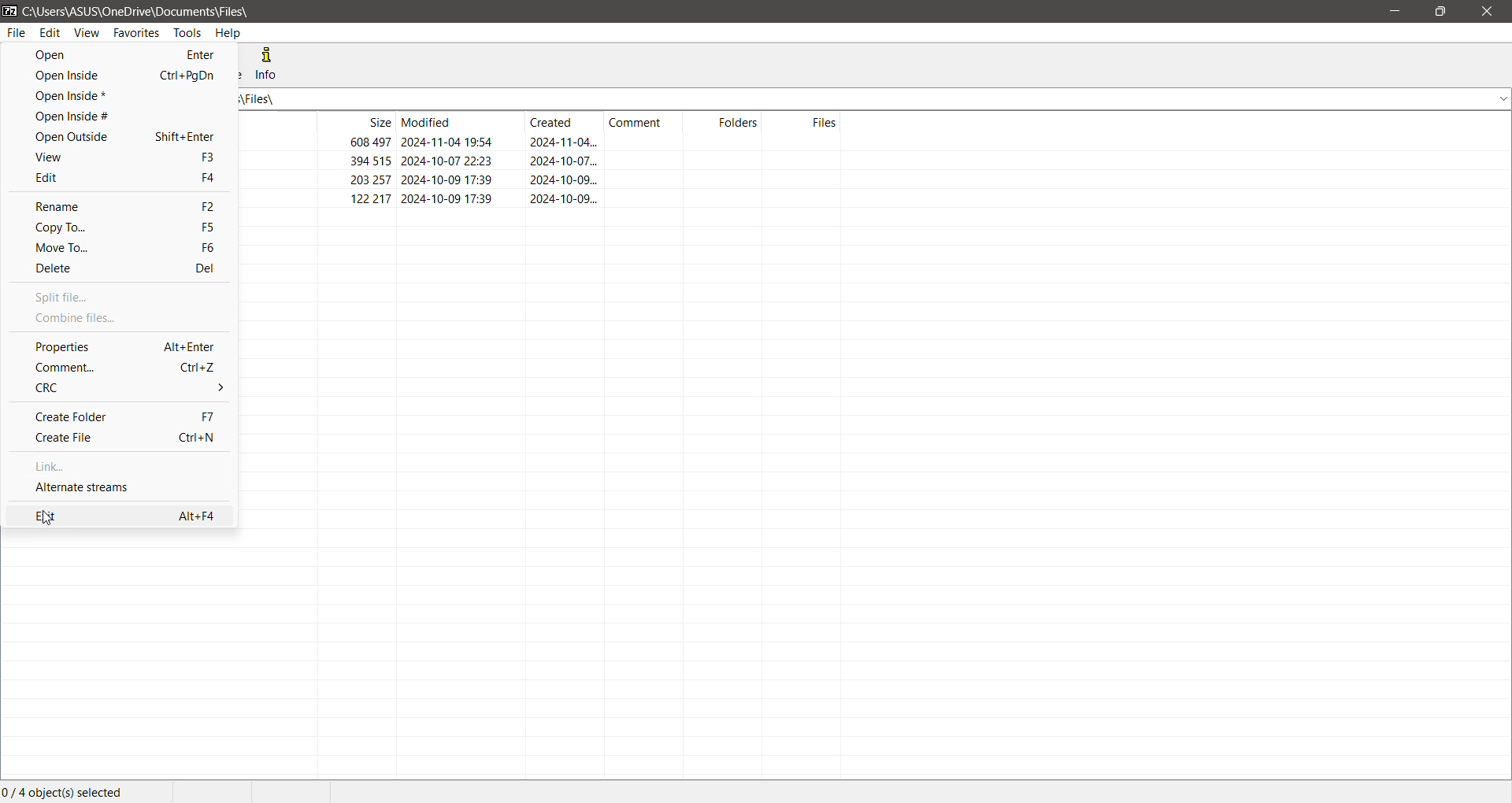  What do you see at coordinates (215, 388) in the screenshot?
I see `More options` at bounding box center [215, 388].